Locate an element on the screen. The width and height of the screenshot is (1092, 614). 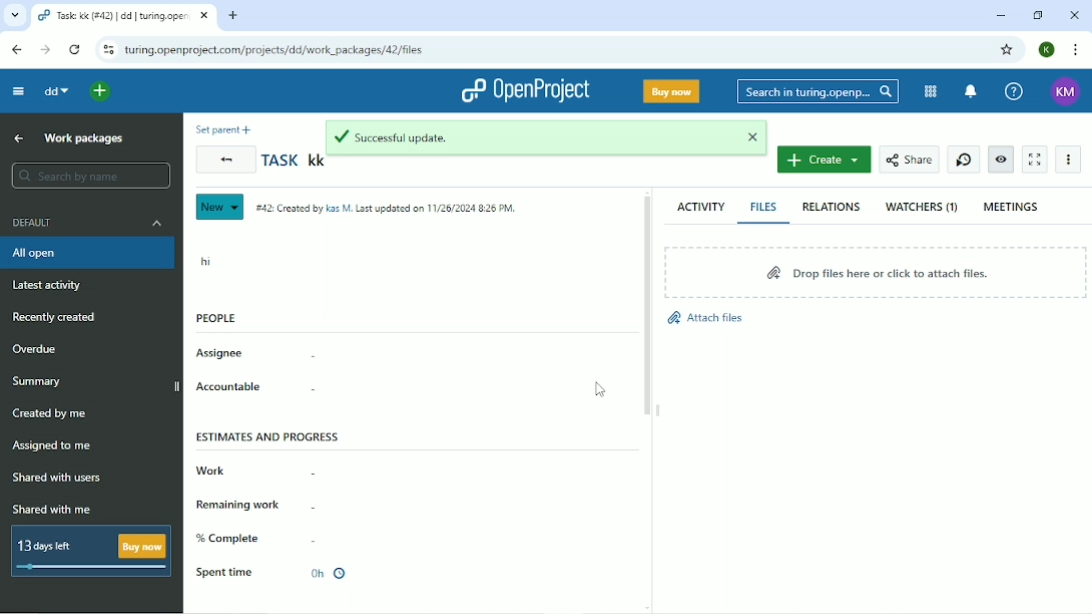
close is located at coordinates (751, 134).